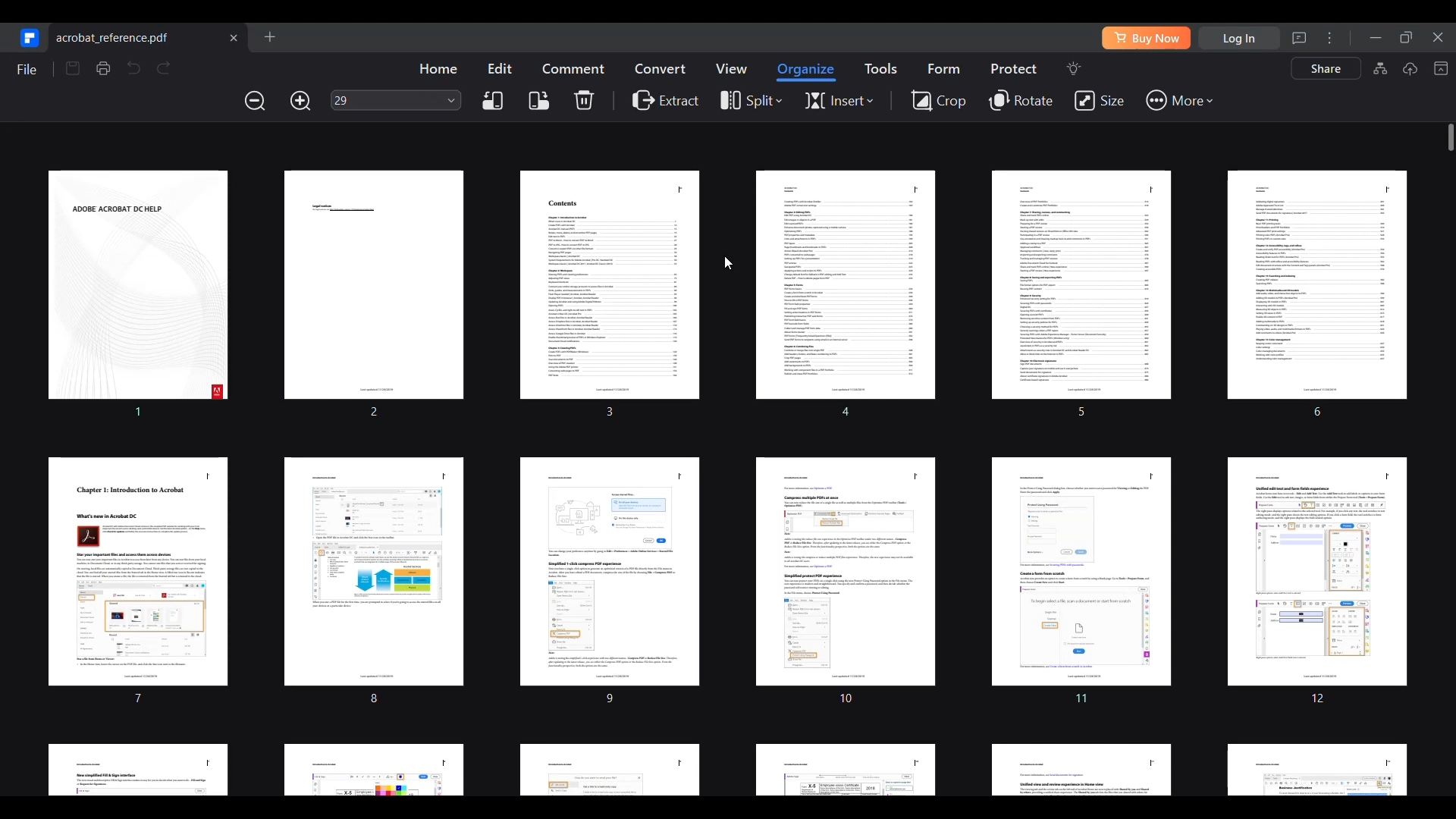 This screenshot has height=819, width=1456. I want to click on Open file, so click(269, 36).